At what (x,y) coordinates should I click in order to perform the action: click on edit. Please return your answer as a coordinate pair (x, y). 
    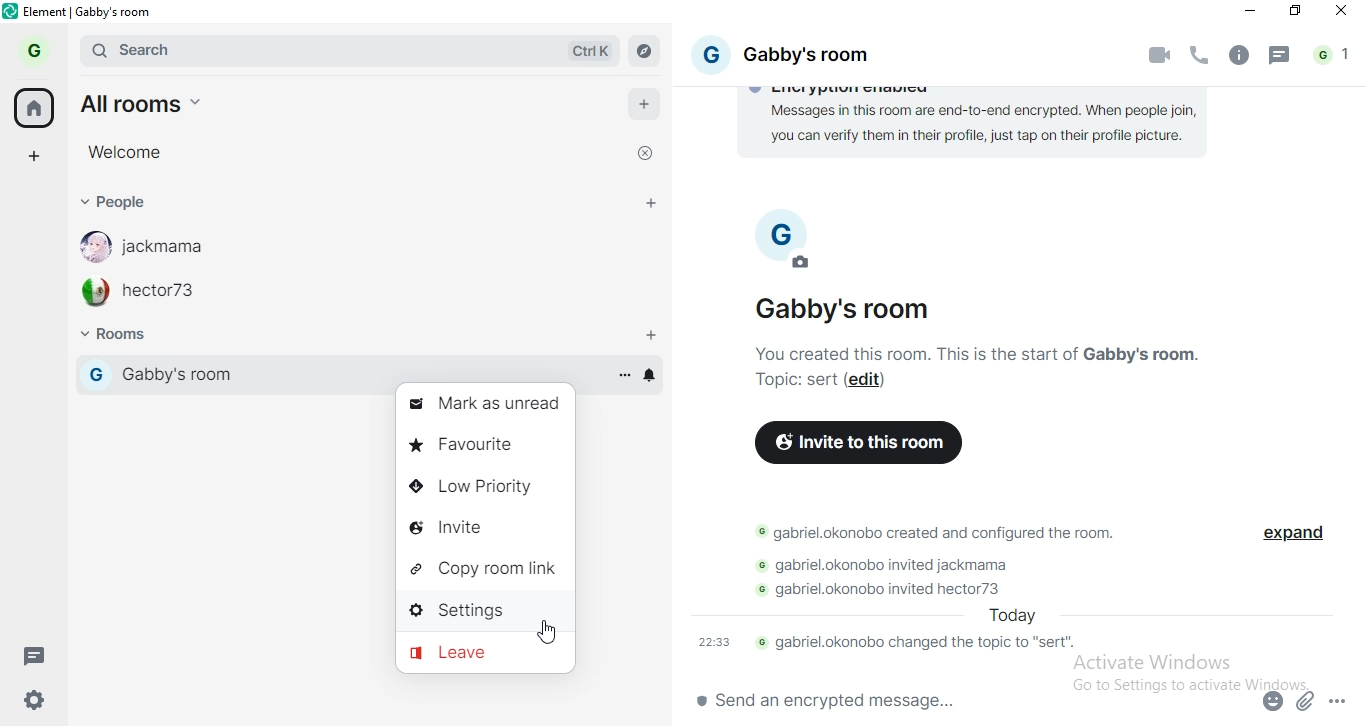
    Looking at the image, I should click on (803, 264).